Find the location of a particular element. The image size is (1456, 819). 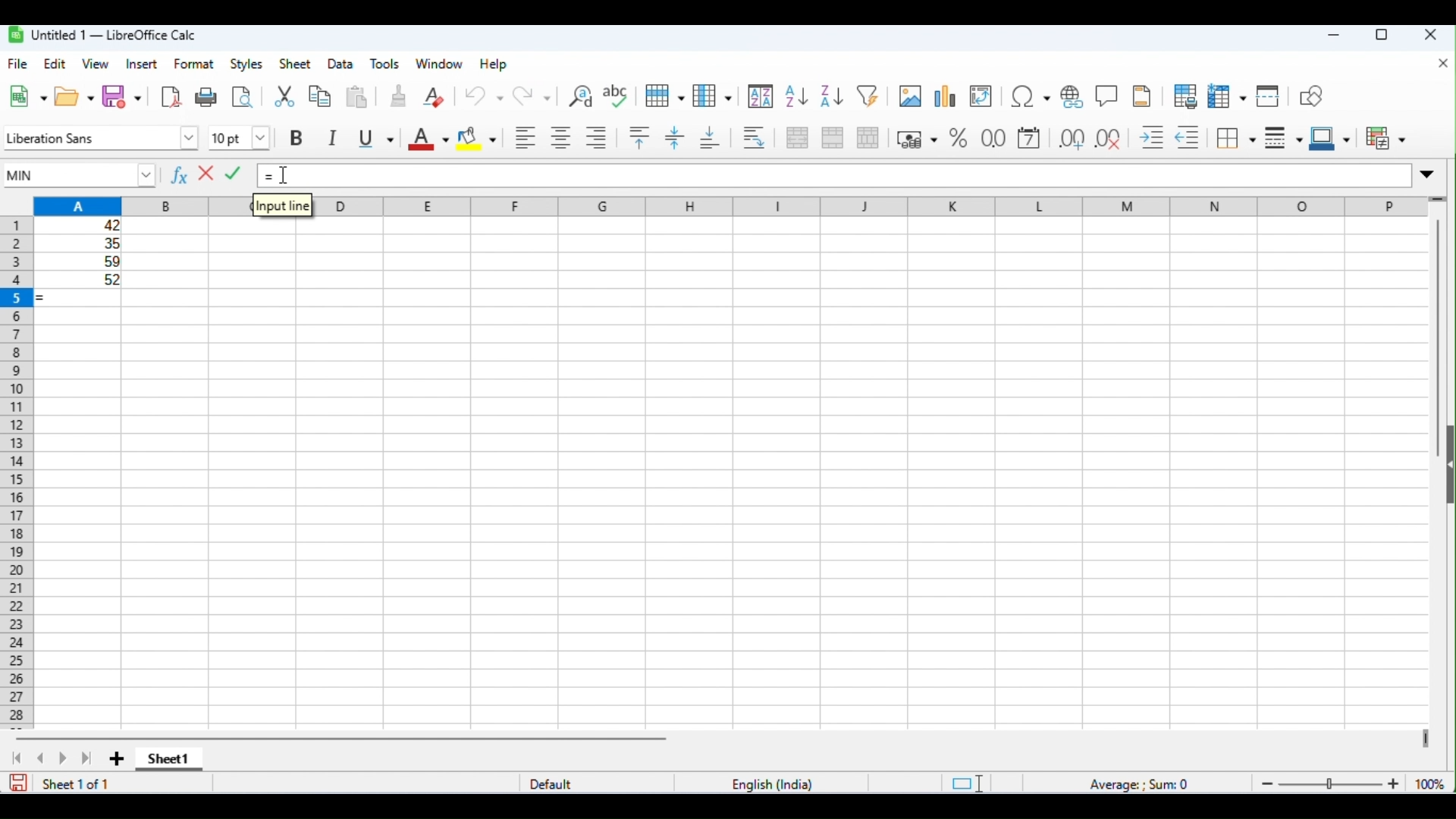

minimize is located at coordinates (1334, 36).